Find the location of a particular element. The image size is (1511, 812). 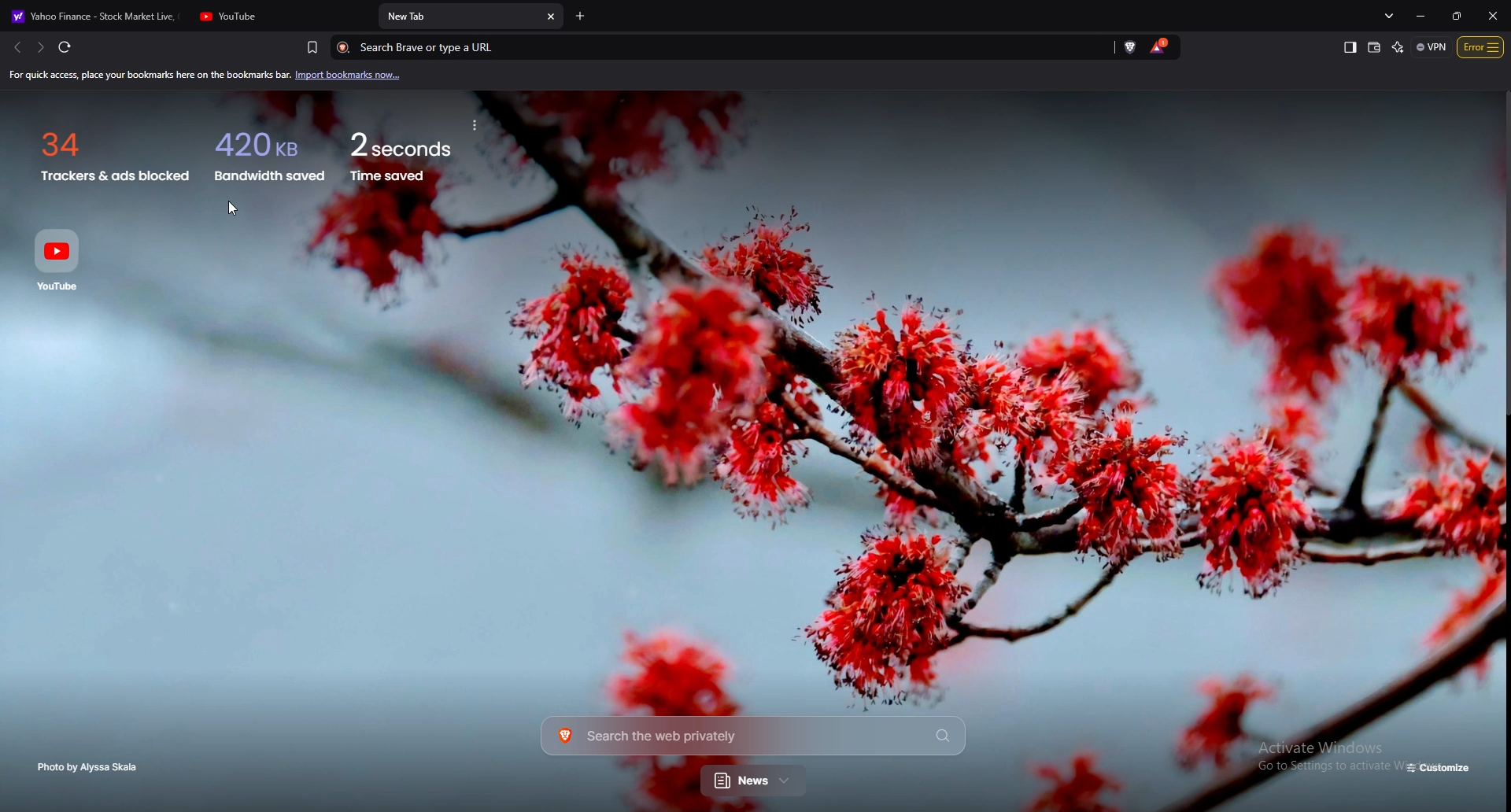

wallet is located at coordinates (1375, 47).